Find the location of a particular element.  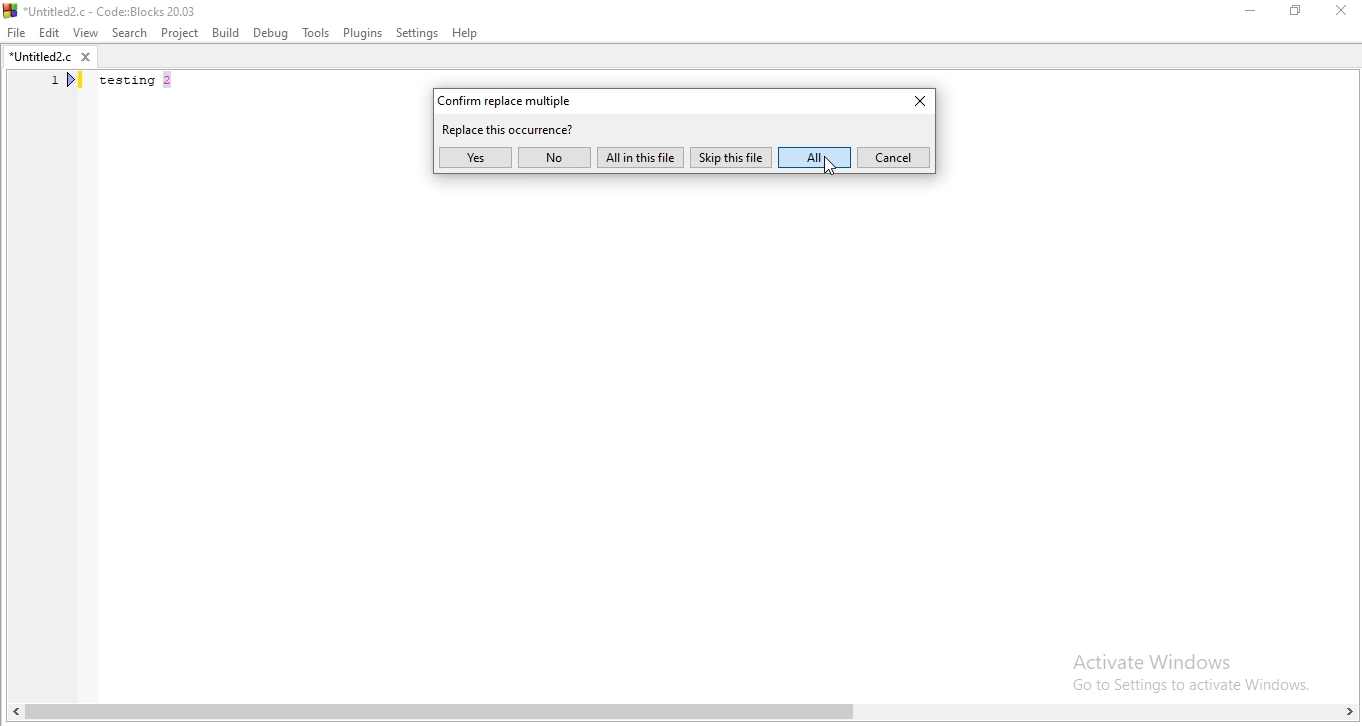

Activate Windows. Go to settings to activate windows is located at coordinates (1178, 669).